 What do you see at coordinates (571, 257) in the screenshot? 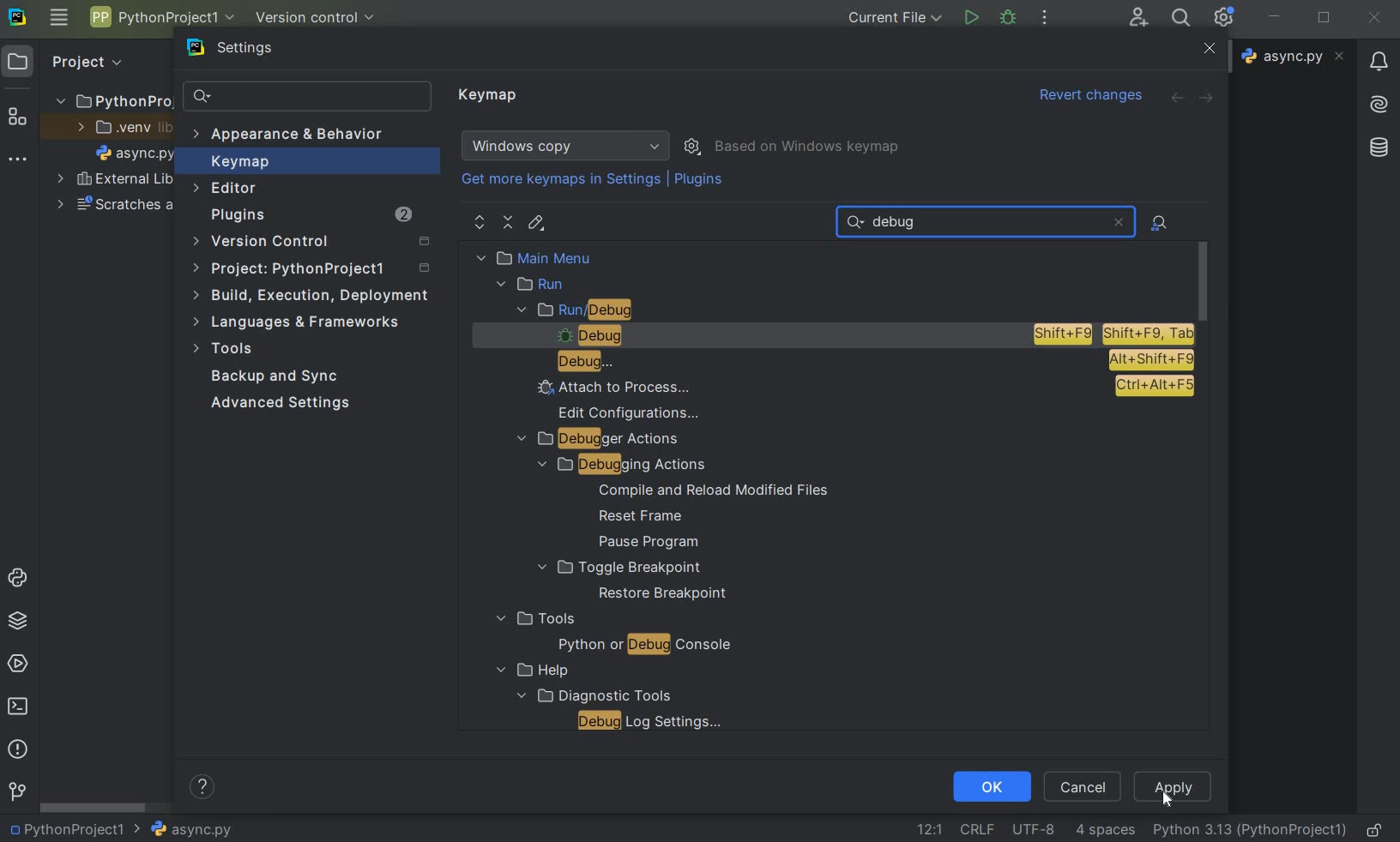
I see `main menu` at bounding box center [571, 257].